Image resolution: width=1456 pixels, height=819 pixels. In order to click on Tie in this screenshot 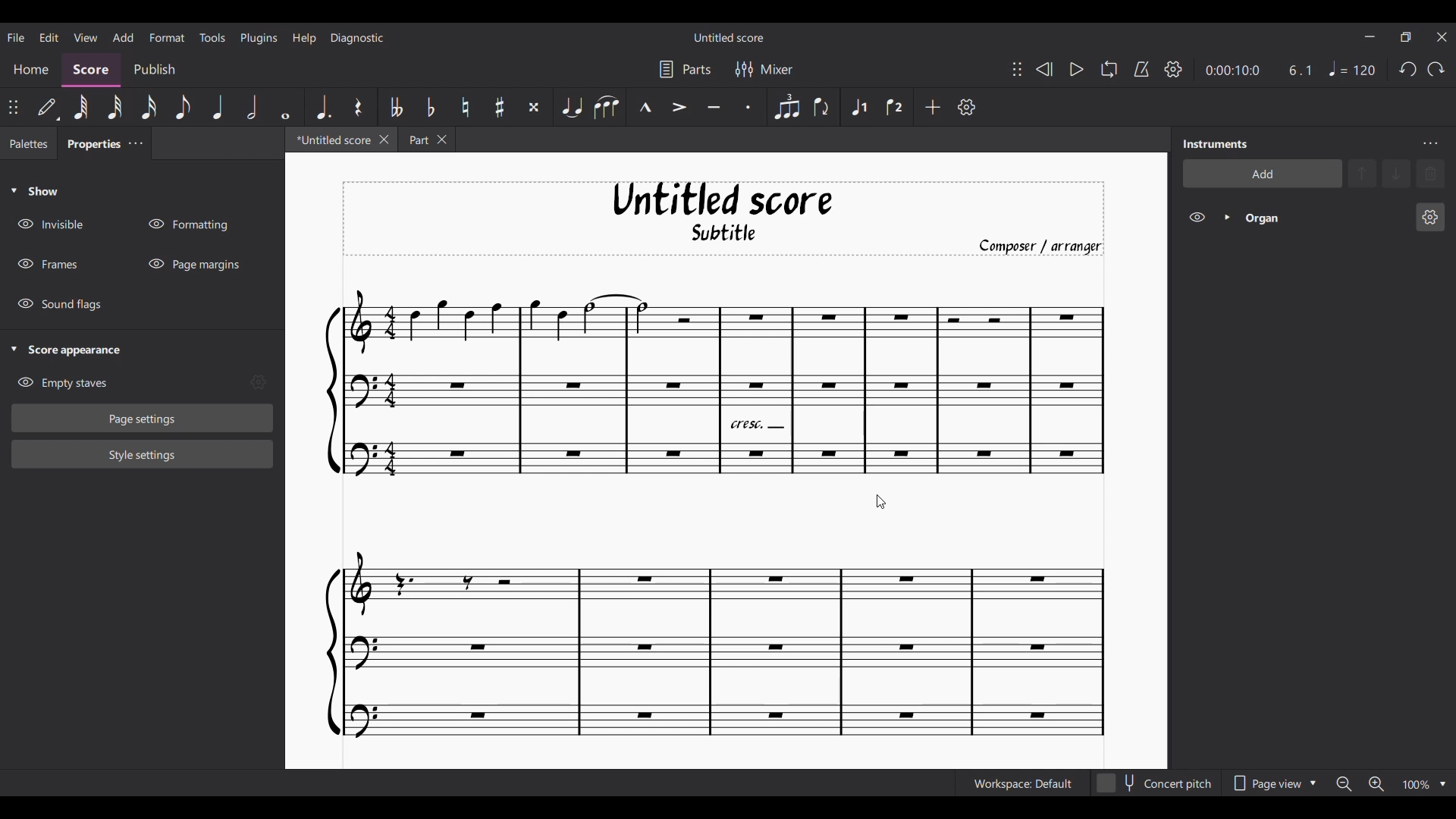, I will do `click(571, 107)`.